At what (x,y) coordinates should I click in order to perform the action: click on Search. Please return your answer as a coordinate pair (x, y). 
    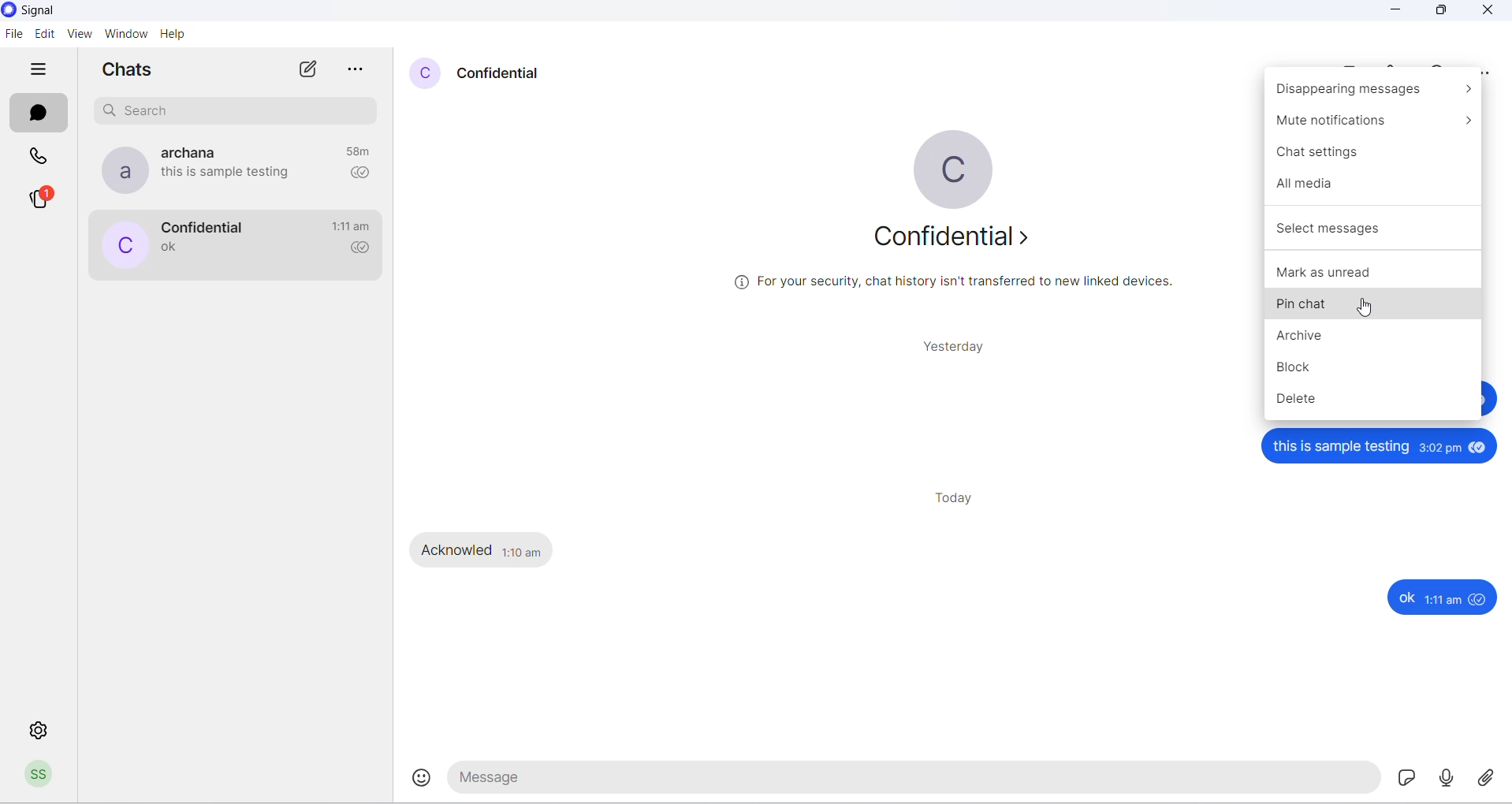
    Looking at the image, I should click on (239, 111).